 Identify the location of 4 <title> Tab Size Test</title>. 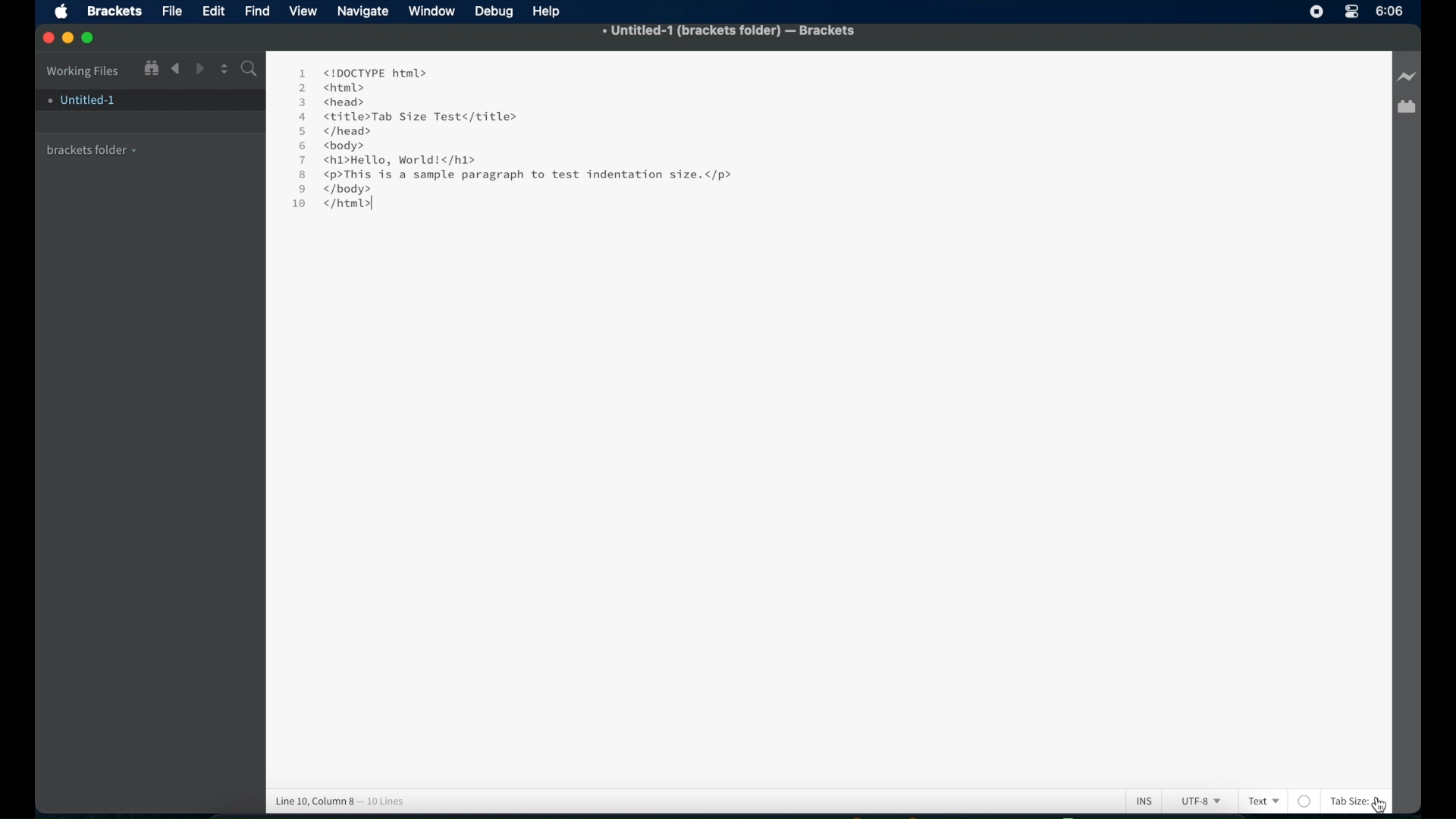
(406, 117).